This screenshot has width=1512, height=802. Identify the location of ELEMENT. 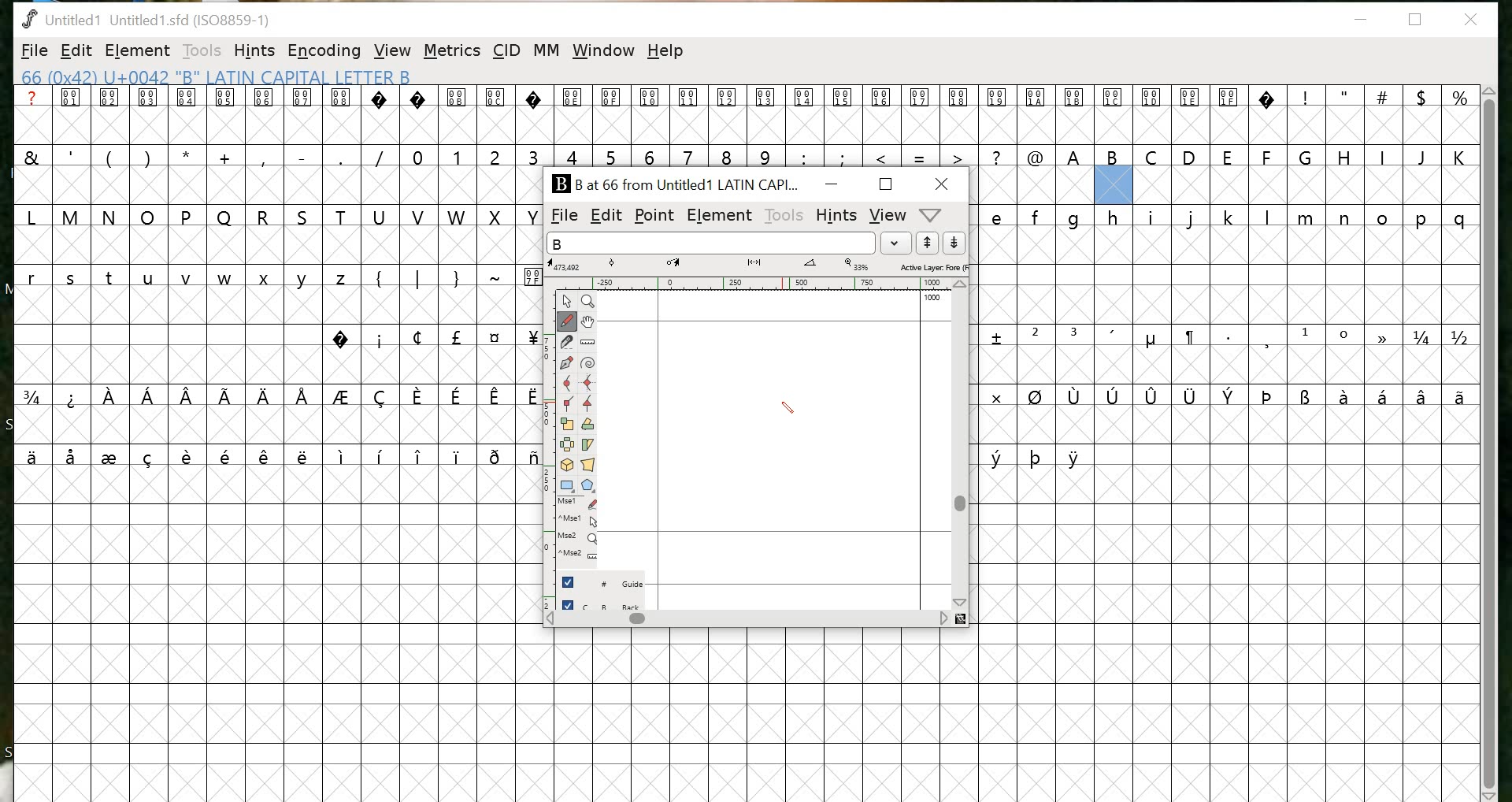
(137, 51).